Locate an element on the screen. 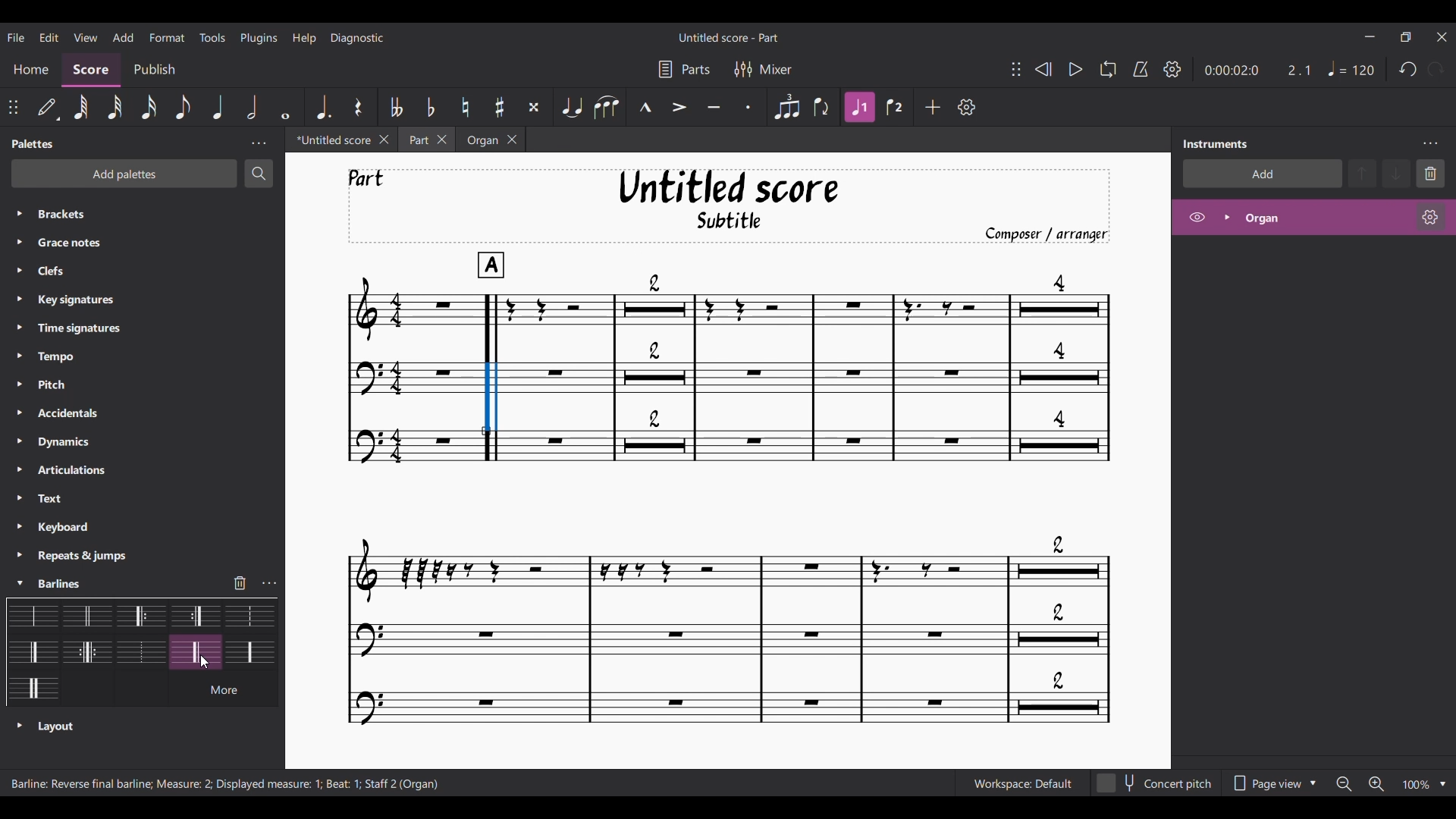 The height and width of the screenshot is (819, 1456). File menu is located at coordinates (16, 36).